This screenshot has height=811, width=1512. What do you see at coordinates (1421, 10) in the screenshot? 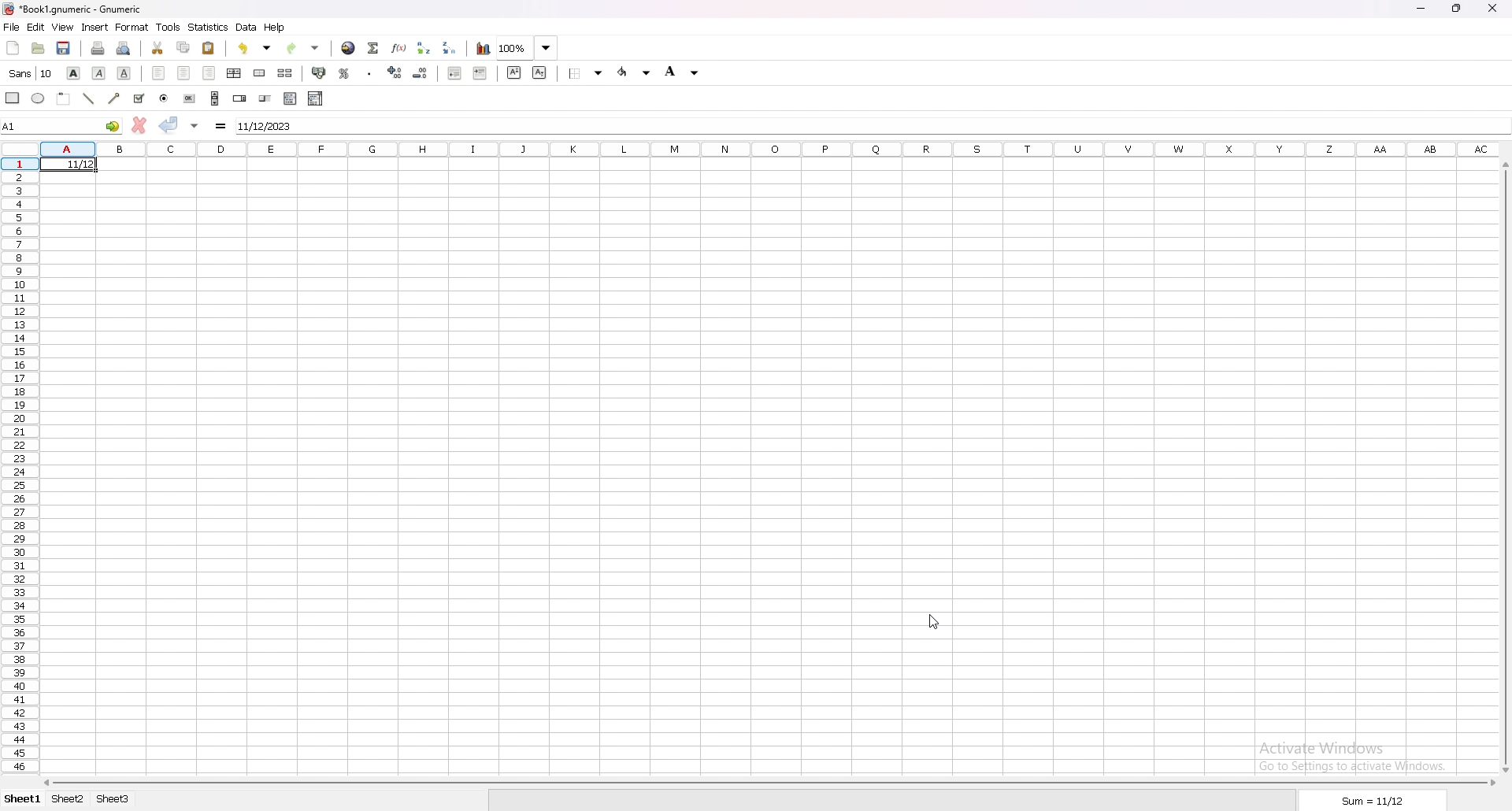
I see `minimize` at bounding box center [1421, 10].